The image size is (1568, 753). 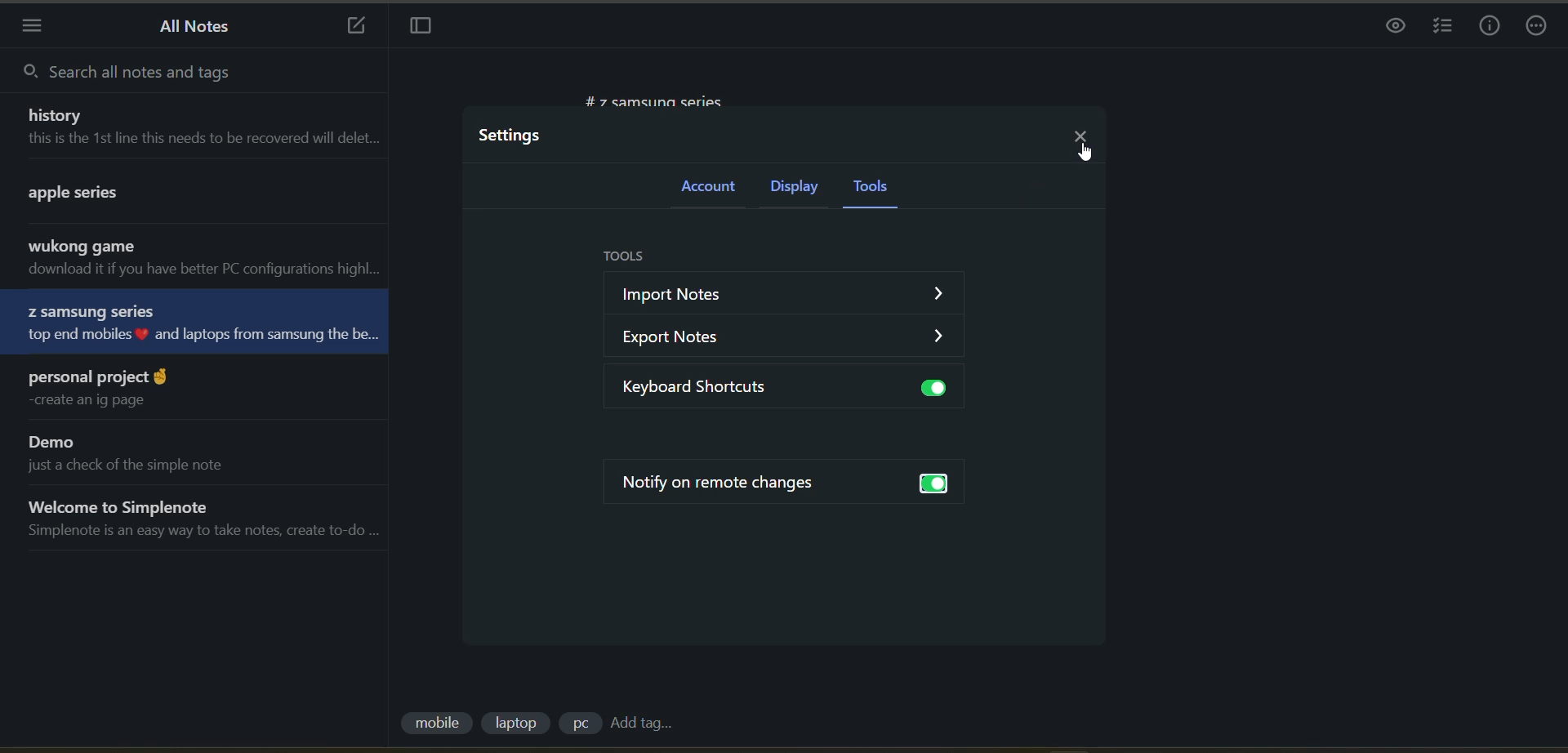 What do you see at coordinates (630, 256) in the screenshot?
I see `tools` at bounding box center [630, 256].